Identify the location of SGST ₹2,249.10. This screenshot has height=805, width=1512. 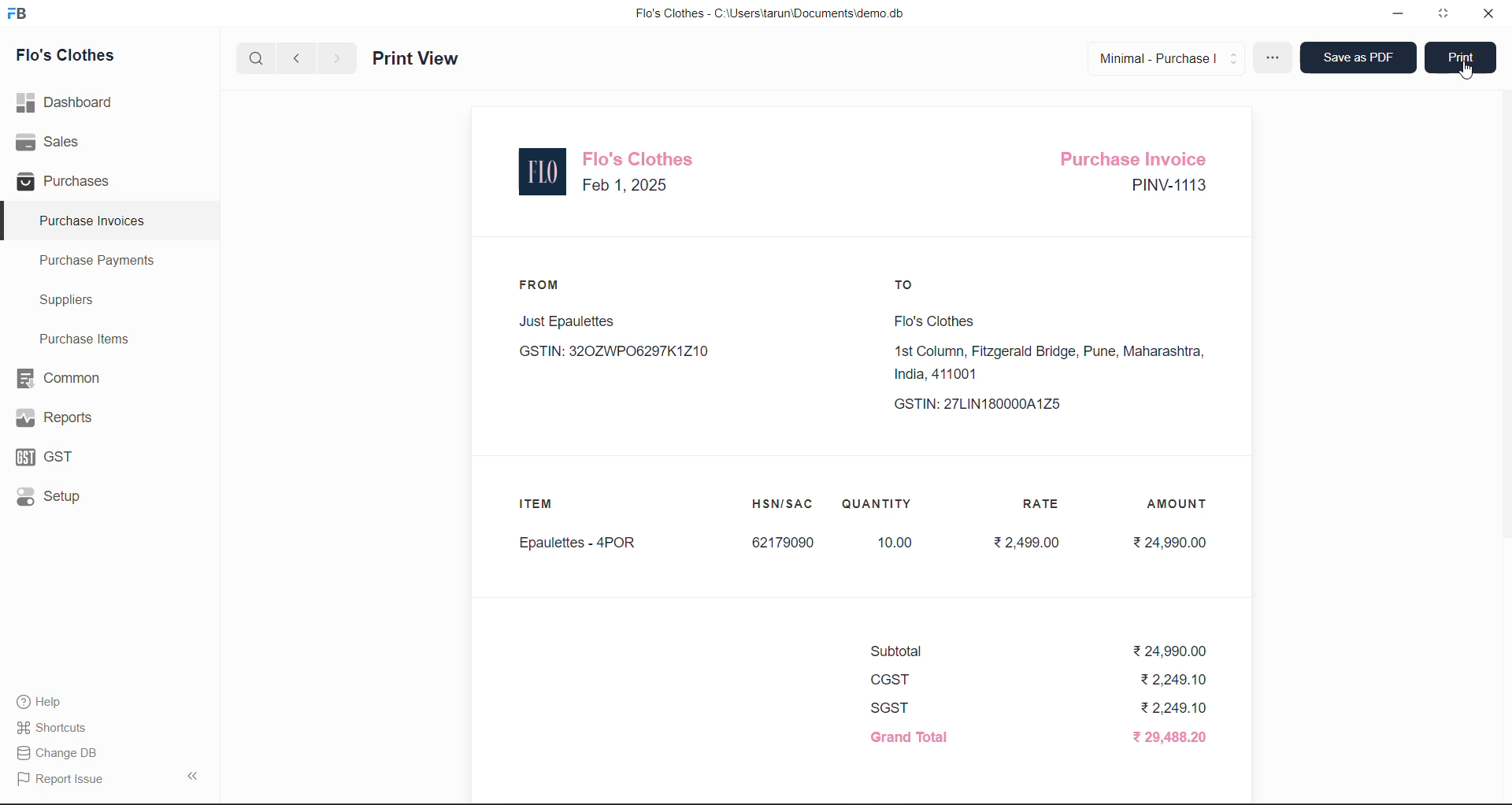
(1034, 710).